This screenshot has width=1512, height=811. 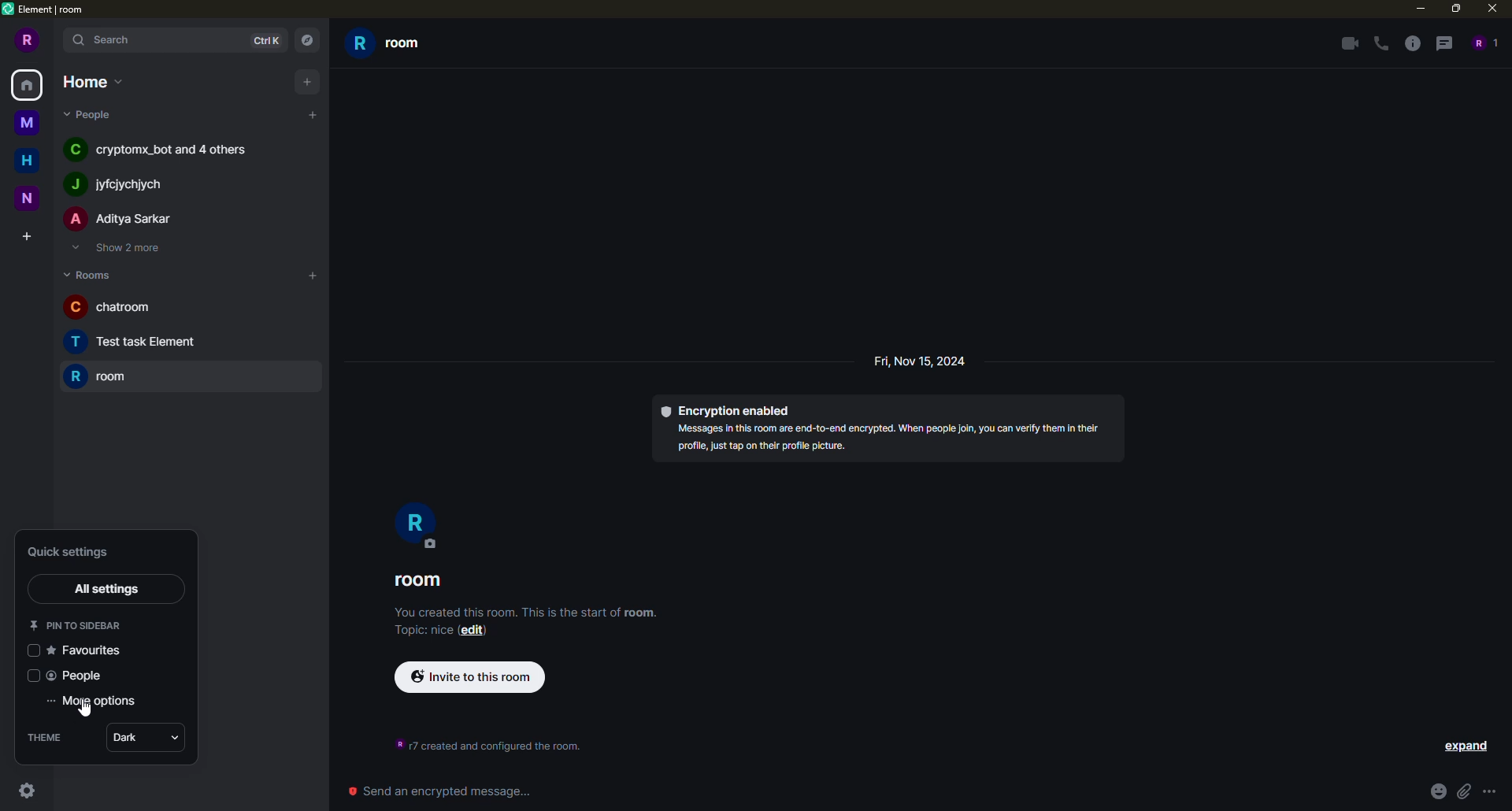 What do you see at coordinates (76, 625) in the screenshot?
I see `pin to sidebar` at bounding box center [76, 625].